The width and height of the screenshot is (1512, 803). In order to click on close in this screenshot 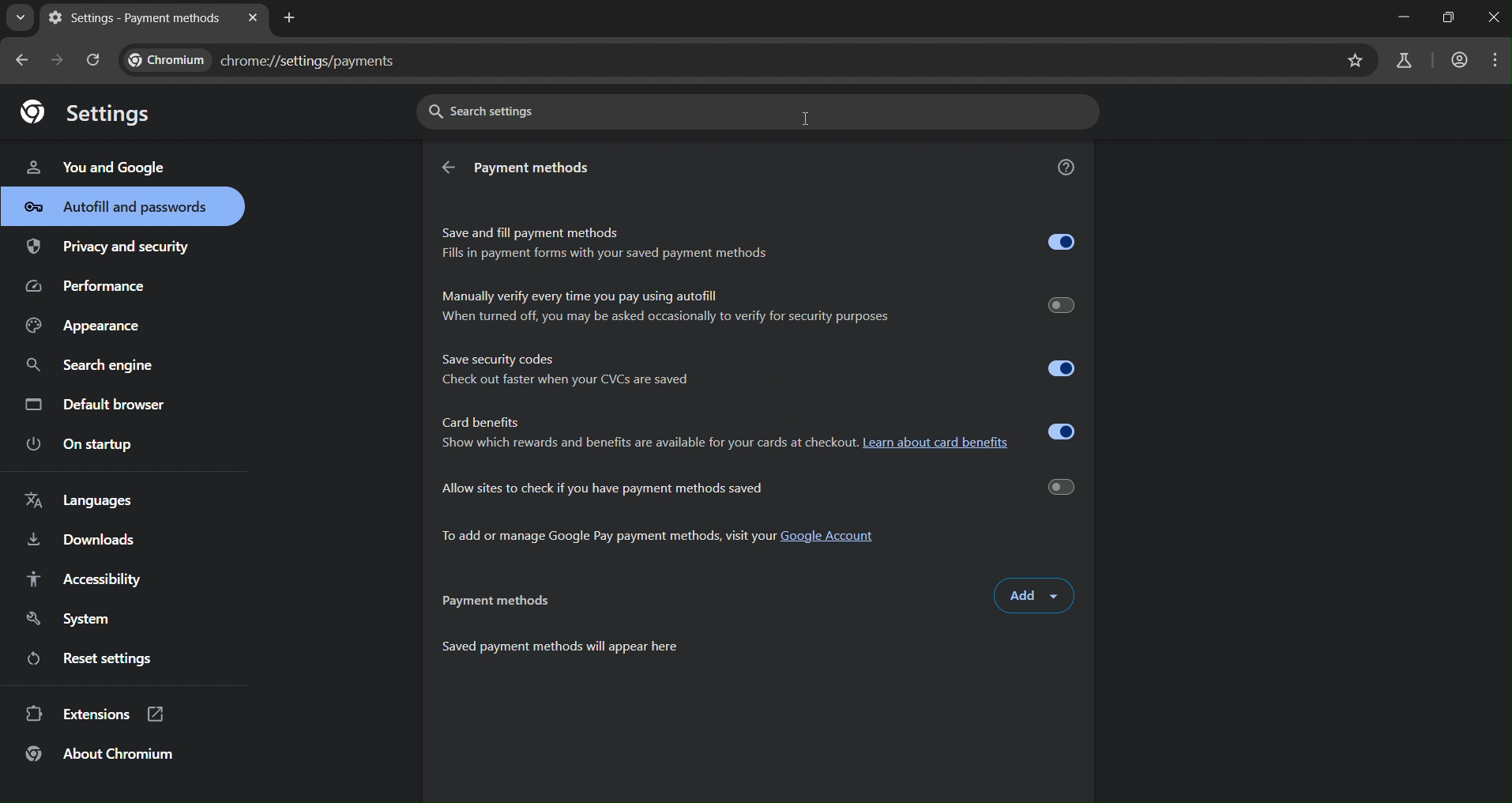, I will do `click(1494, 20)`.